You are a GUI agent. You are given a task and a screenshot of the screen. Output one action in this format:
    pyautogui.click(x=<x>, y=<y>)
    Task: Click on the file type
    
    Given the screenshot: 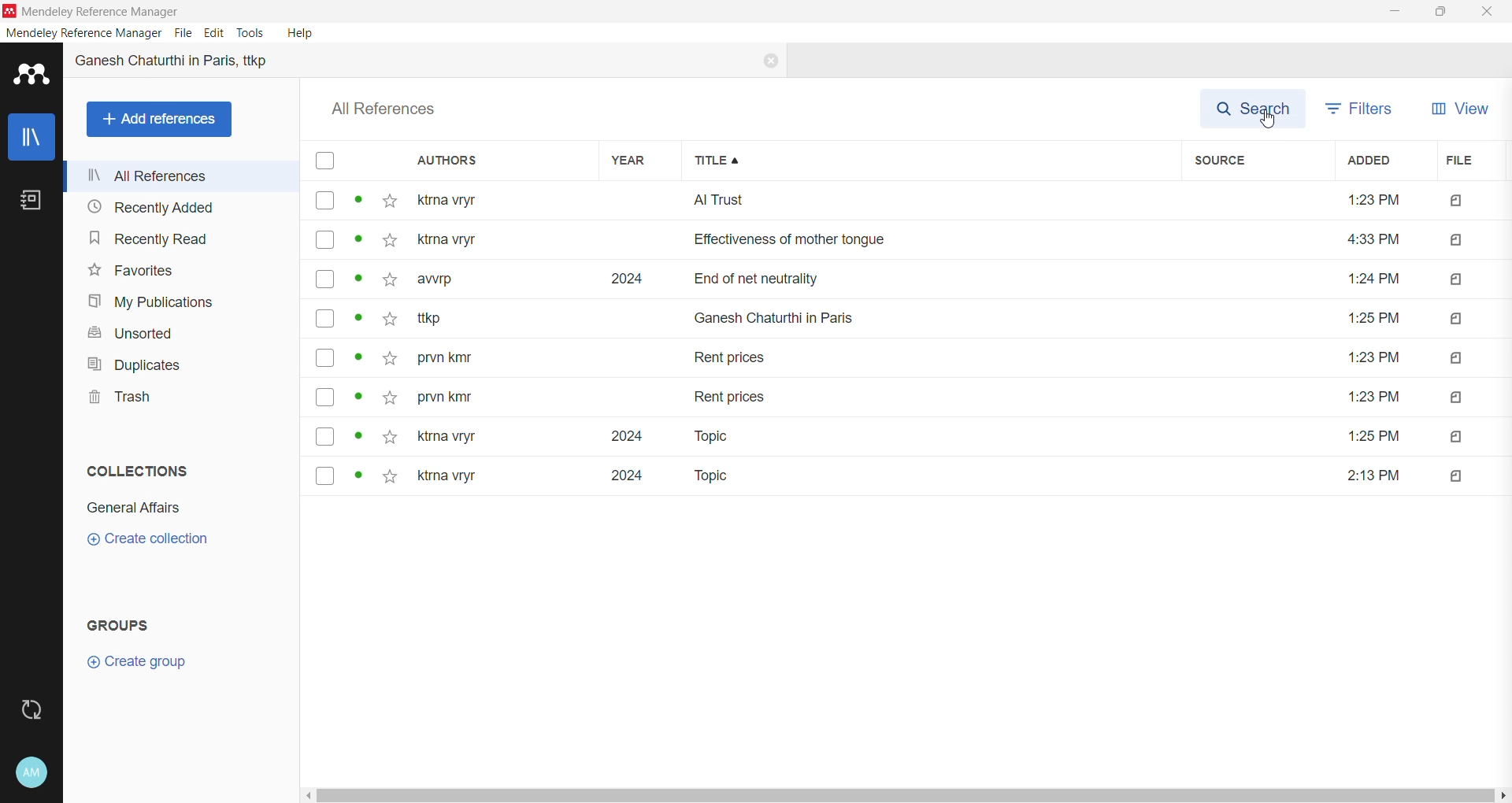 What is the action you would take?
    pyautogui.click(x=1459, y=476)
    